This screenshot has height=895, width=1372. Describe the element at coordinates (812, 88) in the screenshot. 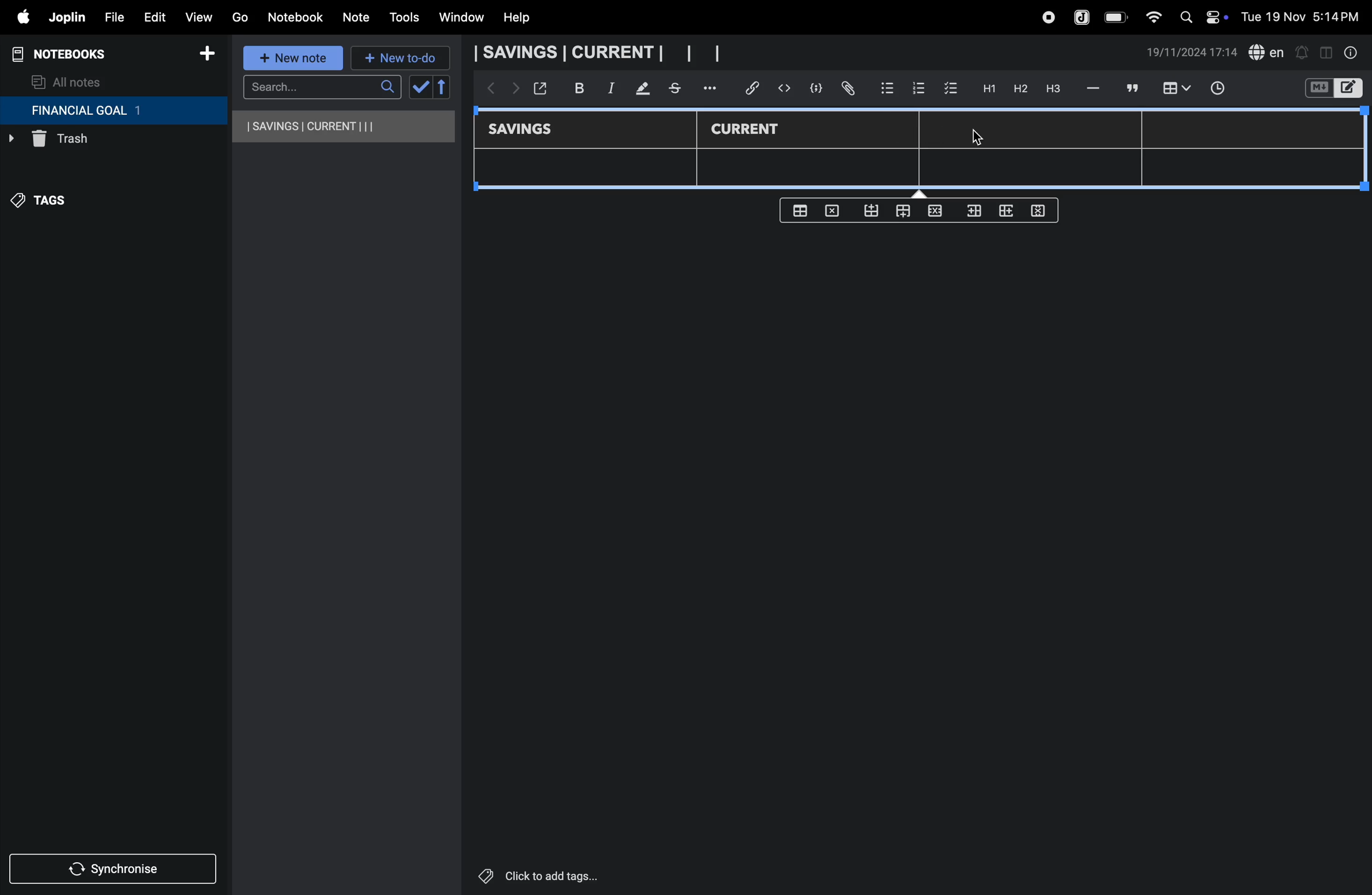

I see `code block` at that location.